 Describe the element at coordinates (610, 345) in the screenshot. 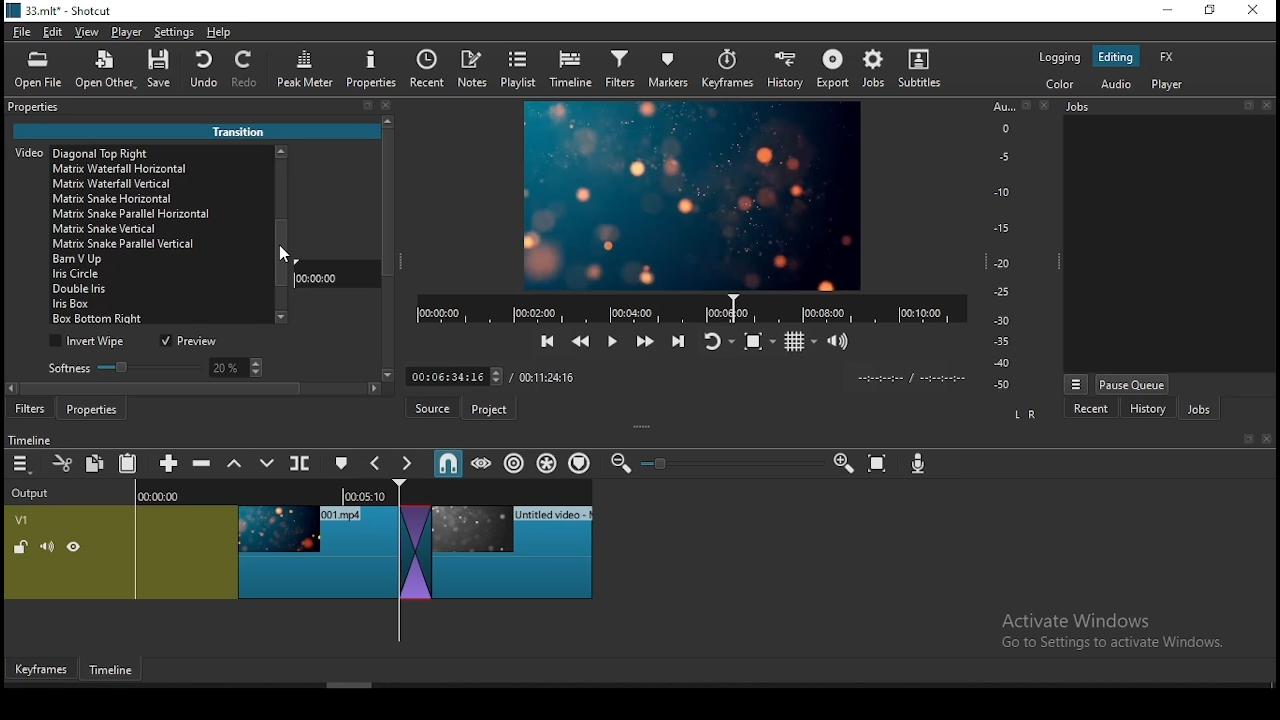

I see `play/pause` at that location.